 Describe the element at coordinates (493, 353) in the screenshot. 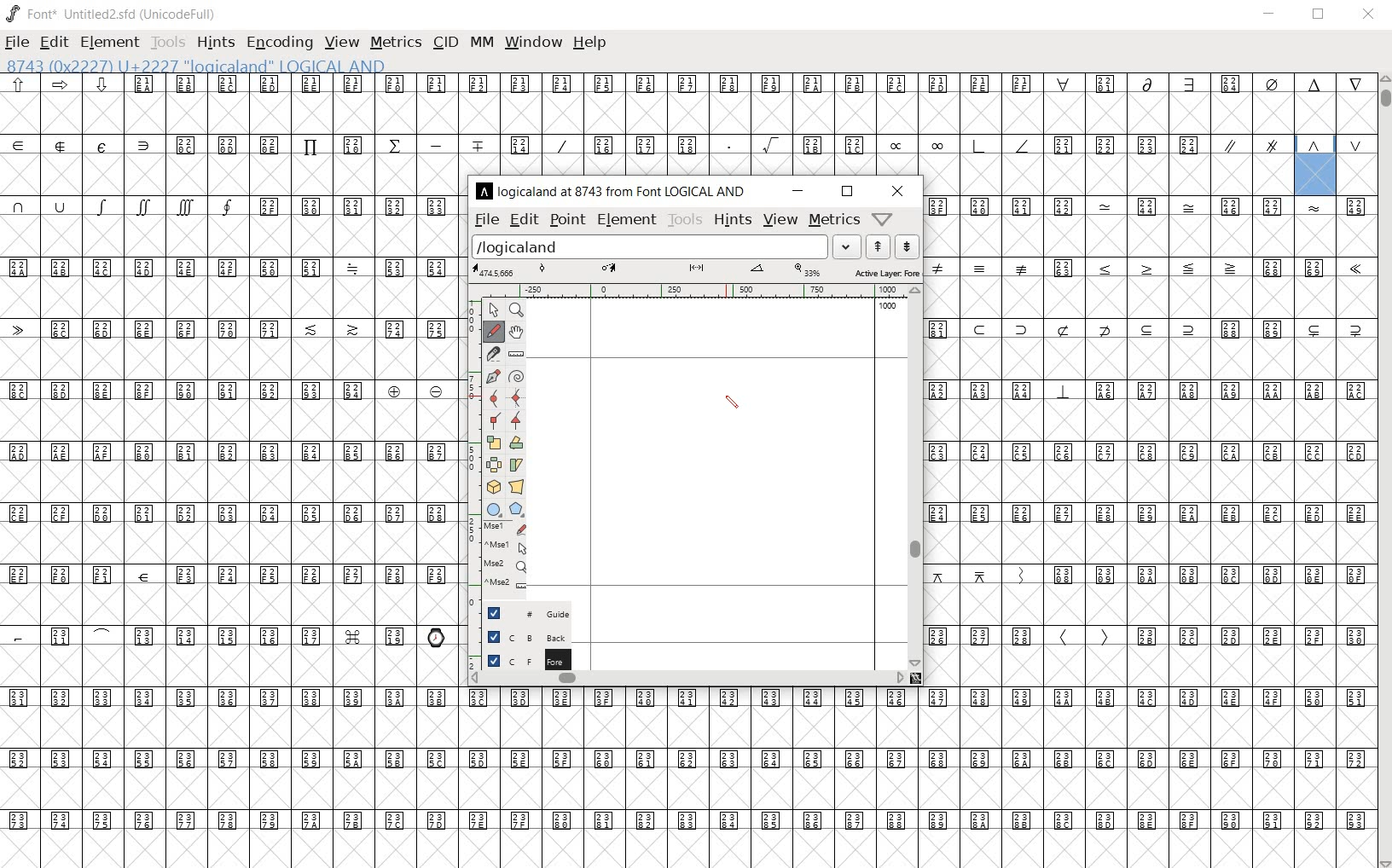

I see `cut splines in two` at that location.